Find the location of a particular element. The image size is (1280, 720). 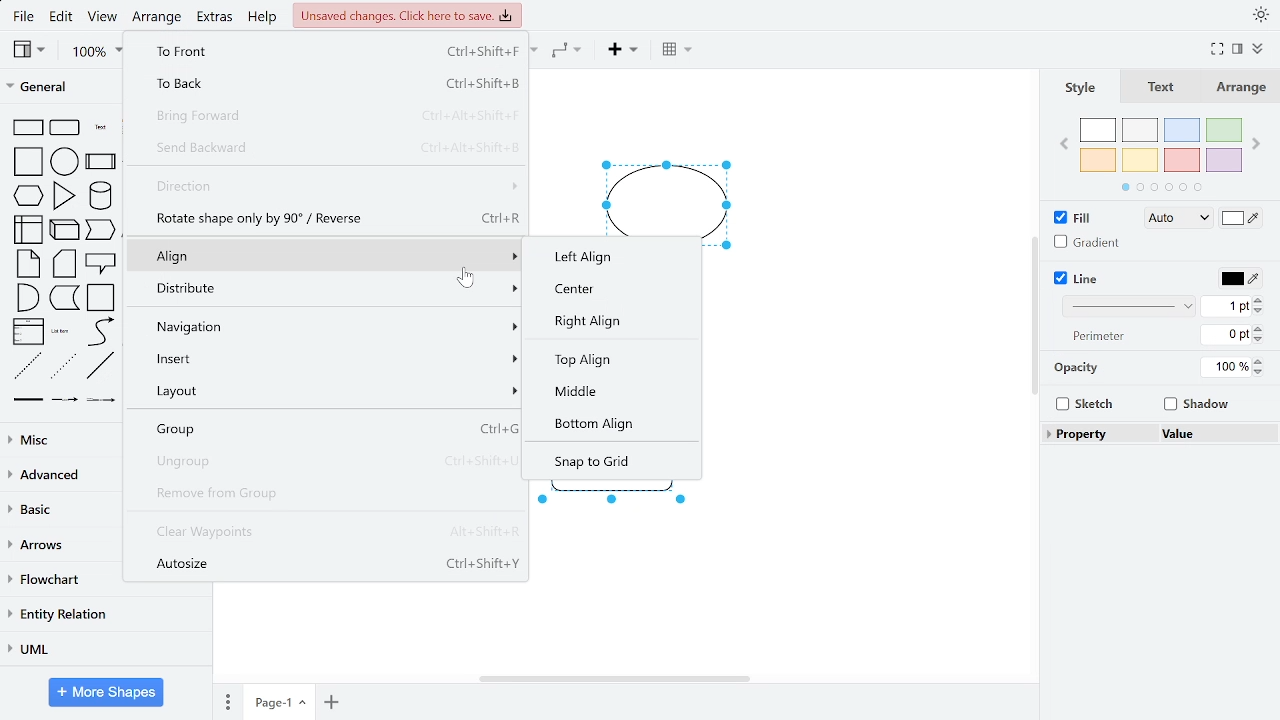

yellow is located at coordinates (1142, 160).